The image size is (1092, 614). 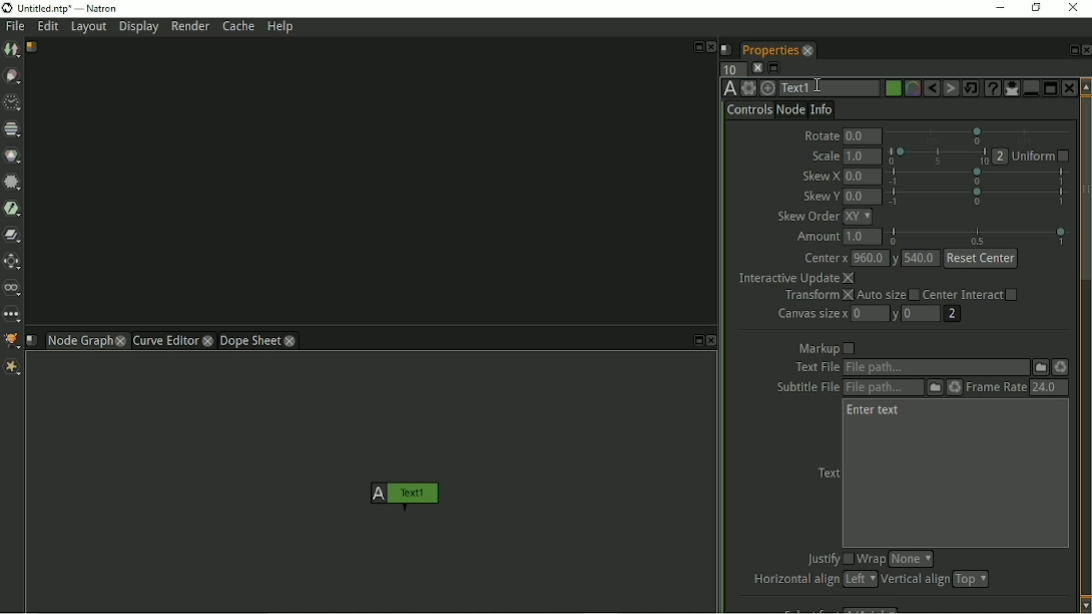 I want to click on Close, so click(x=1072, y=8).